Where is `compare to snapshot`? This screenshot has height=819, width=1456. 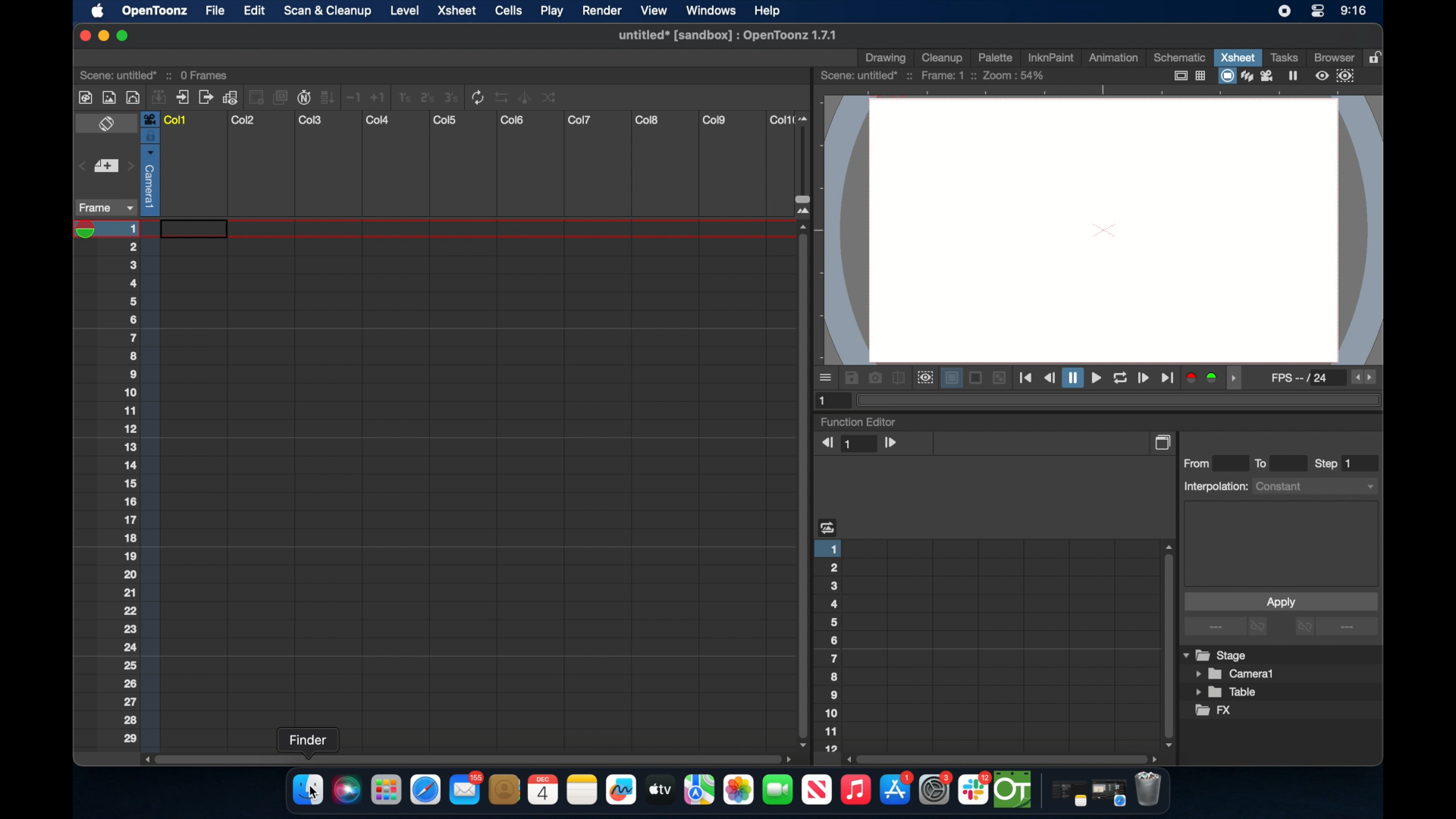 compare to snapshot is located at coordinates (899, 378).